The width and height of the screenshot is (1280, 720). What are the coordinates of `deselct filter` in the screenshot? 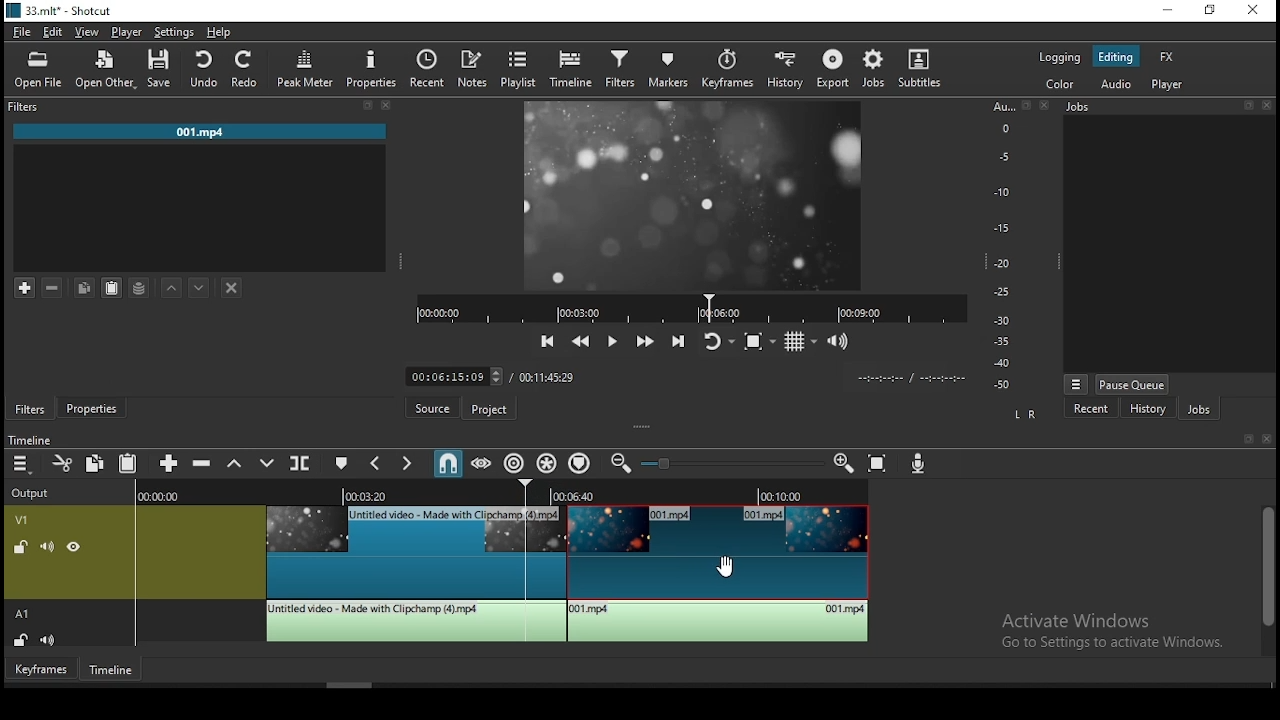 It's located at (232, 287).